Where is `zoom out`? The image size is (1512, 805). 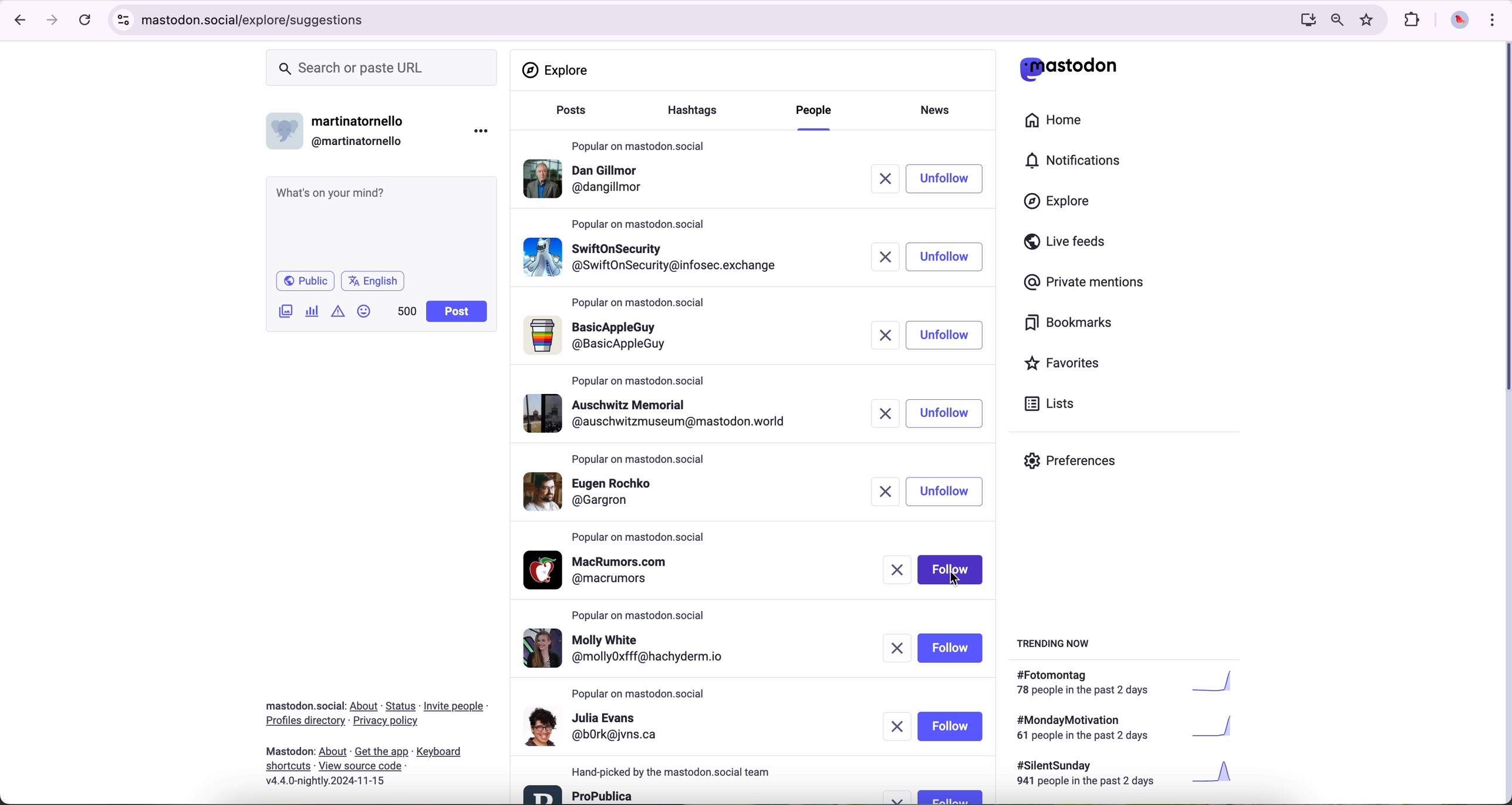 zoom out is located at coordinates (1336, 19).